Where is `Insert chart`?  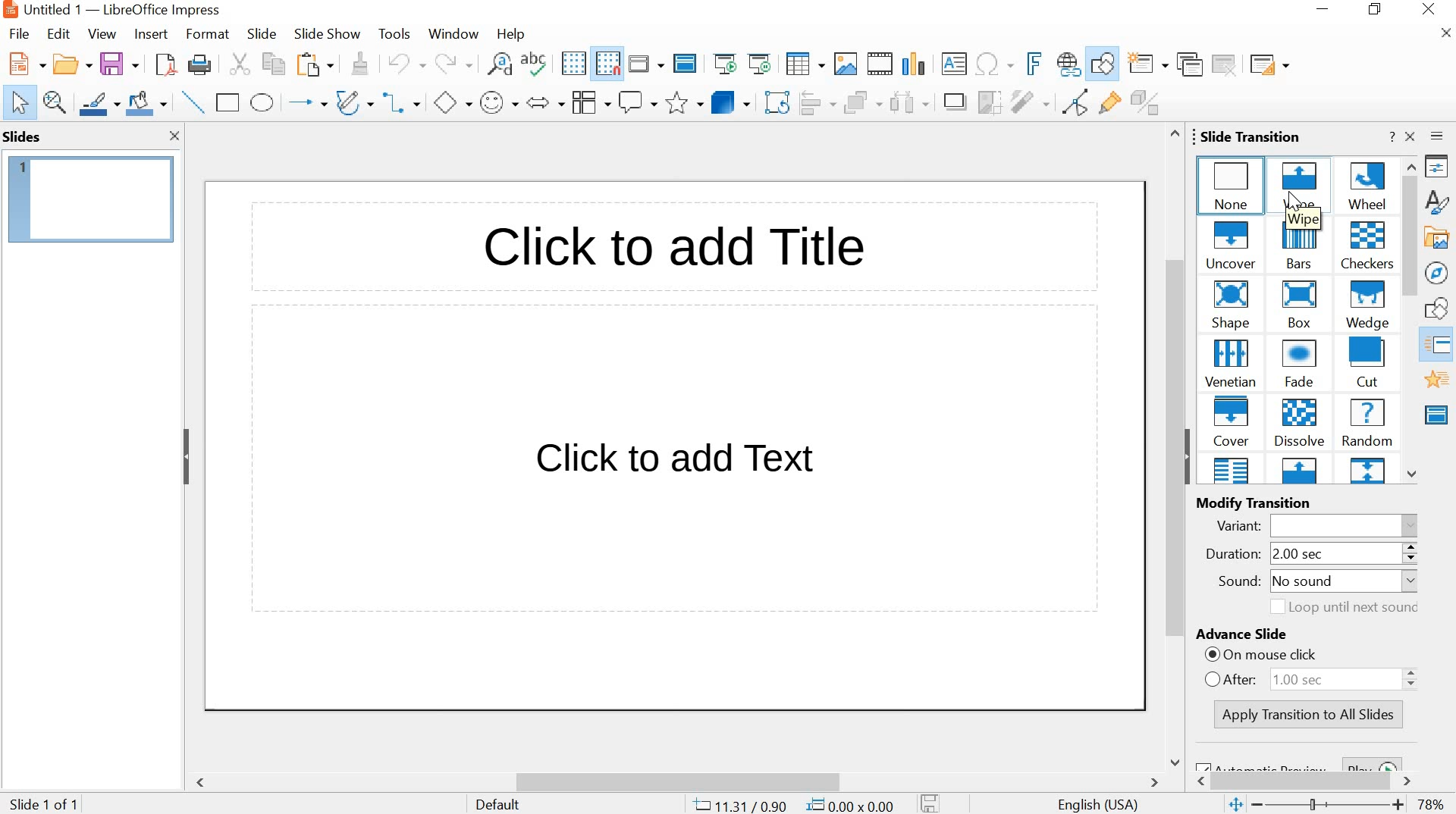 Insert chart is located at coordinates (913, 62).